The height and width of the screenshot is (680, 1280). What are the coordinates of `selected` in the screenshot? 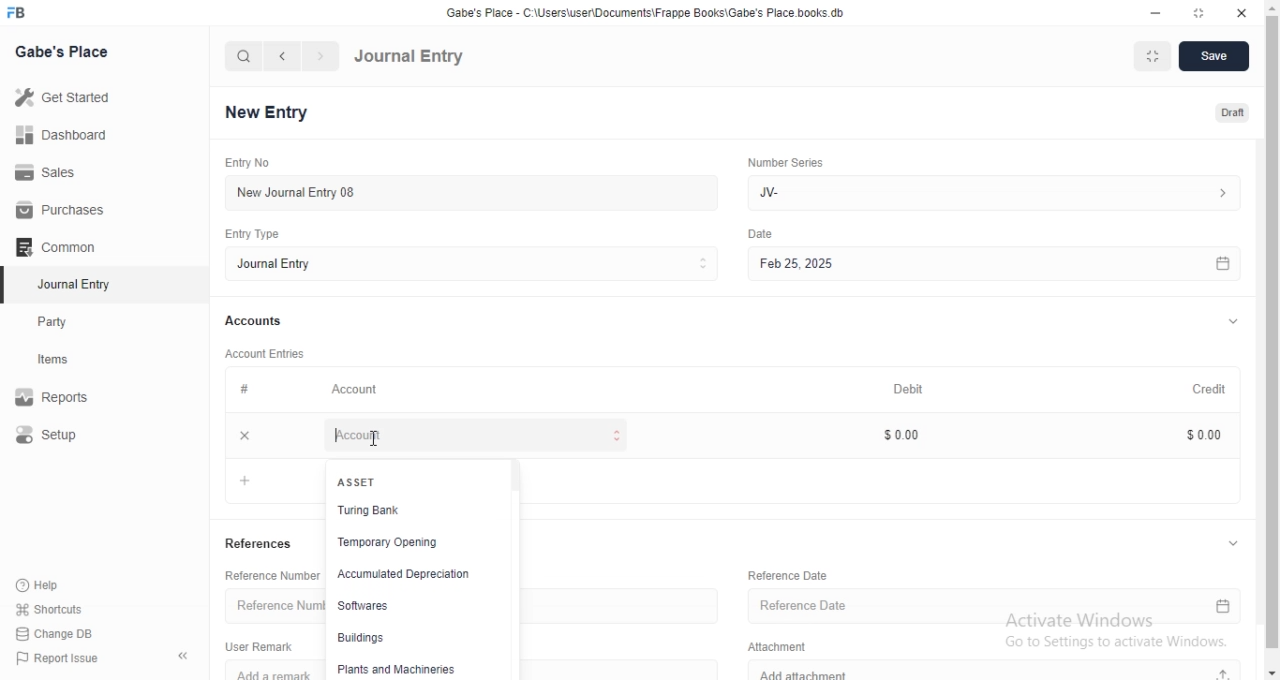 It's located at (8, 286).